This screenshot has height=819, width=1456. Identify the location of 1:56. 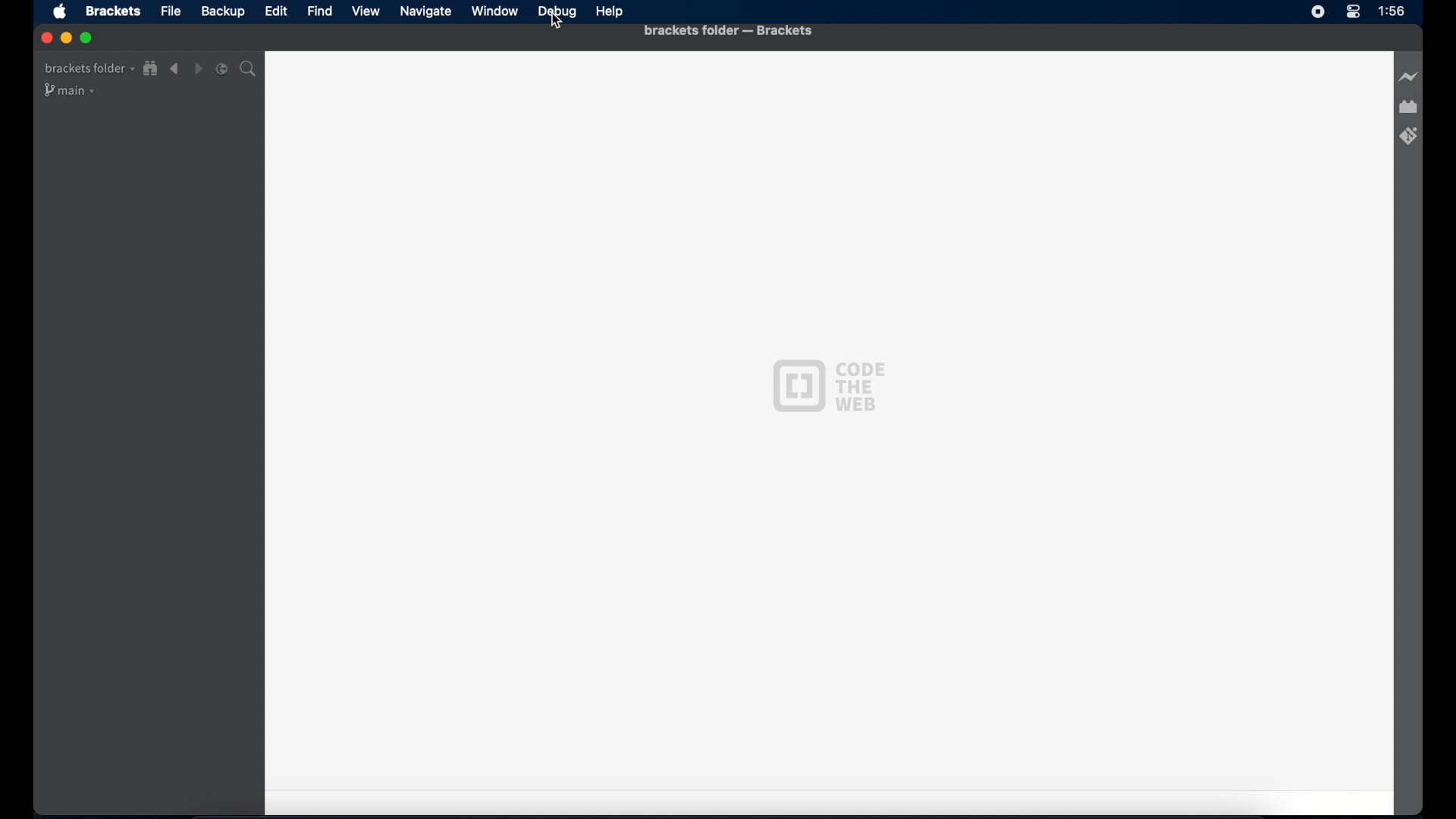
(1392, 11).